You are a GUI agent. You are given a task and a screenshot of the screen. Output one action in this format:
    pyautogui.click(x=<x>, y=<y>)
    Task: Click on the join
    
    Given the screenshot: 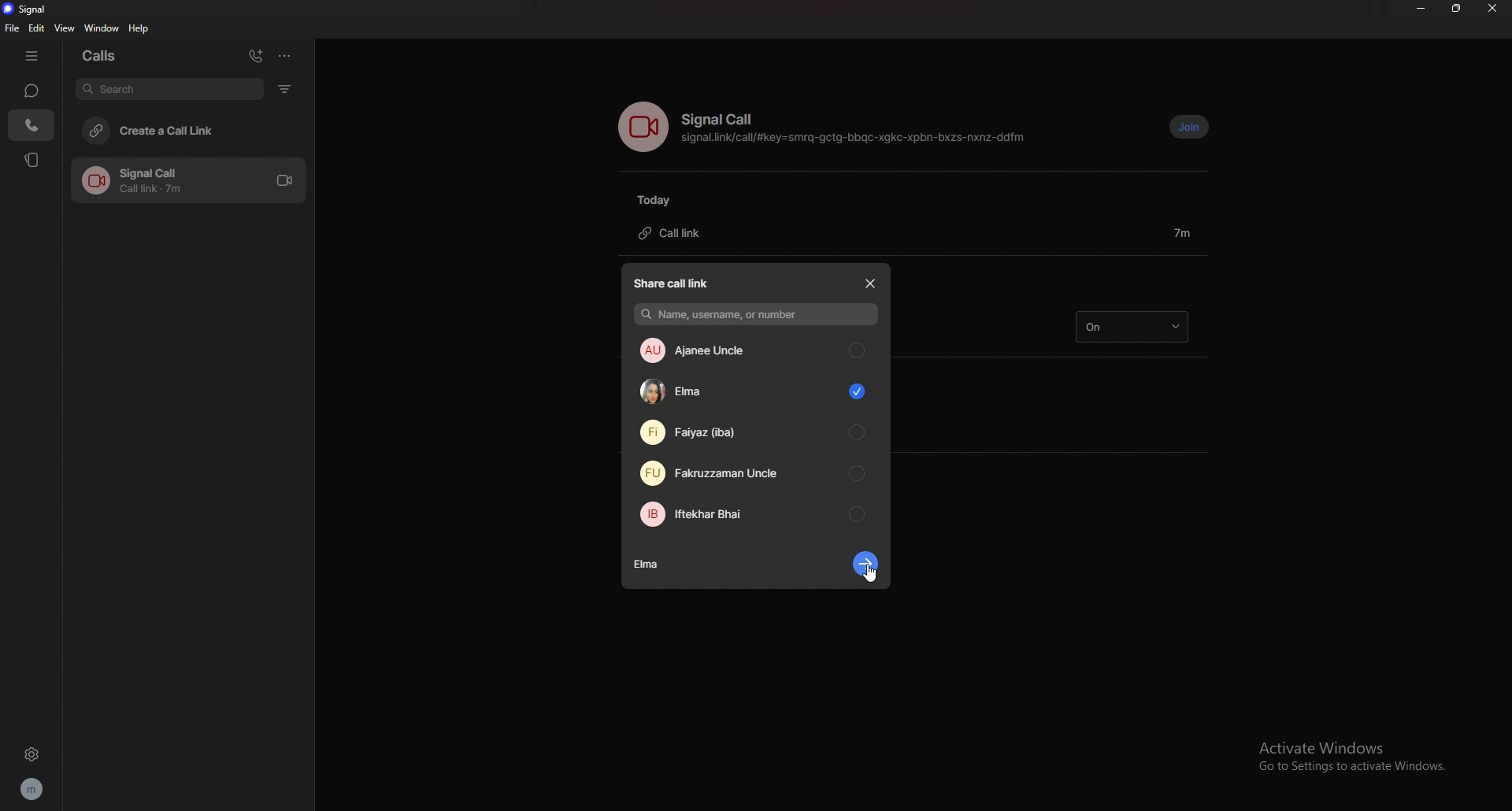 What is the action you would take?
    pyautogui.click(x=1189, y=128)
    